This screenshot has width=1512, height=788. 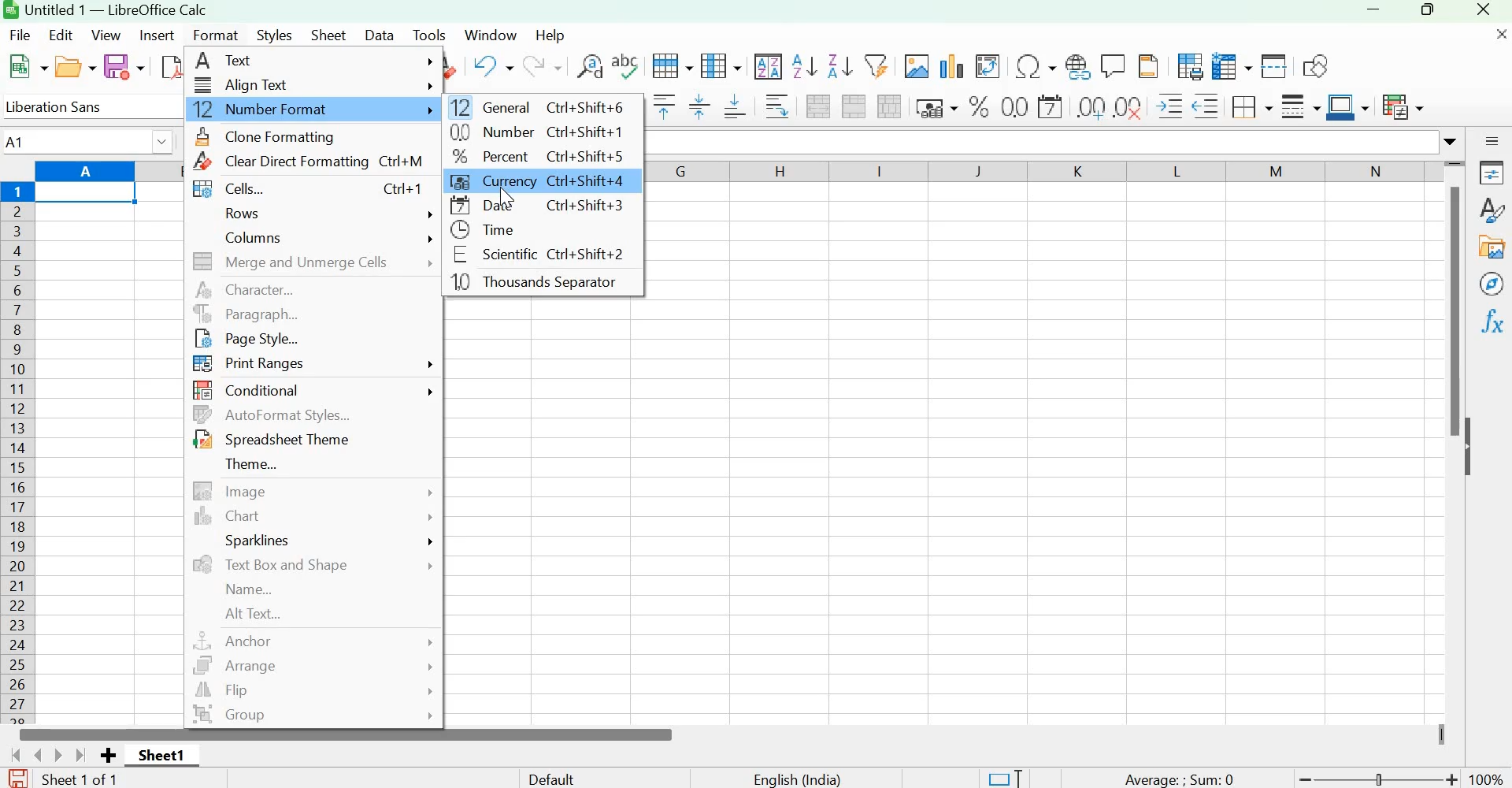 I want to click on Headers and Footers, so click(x=1147, y=65).